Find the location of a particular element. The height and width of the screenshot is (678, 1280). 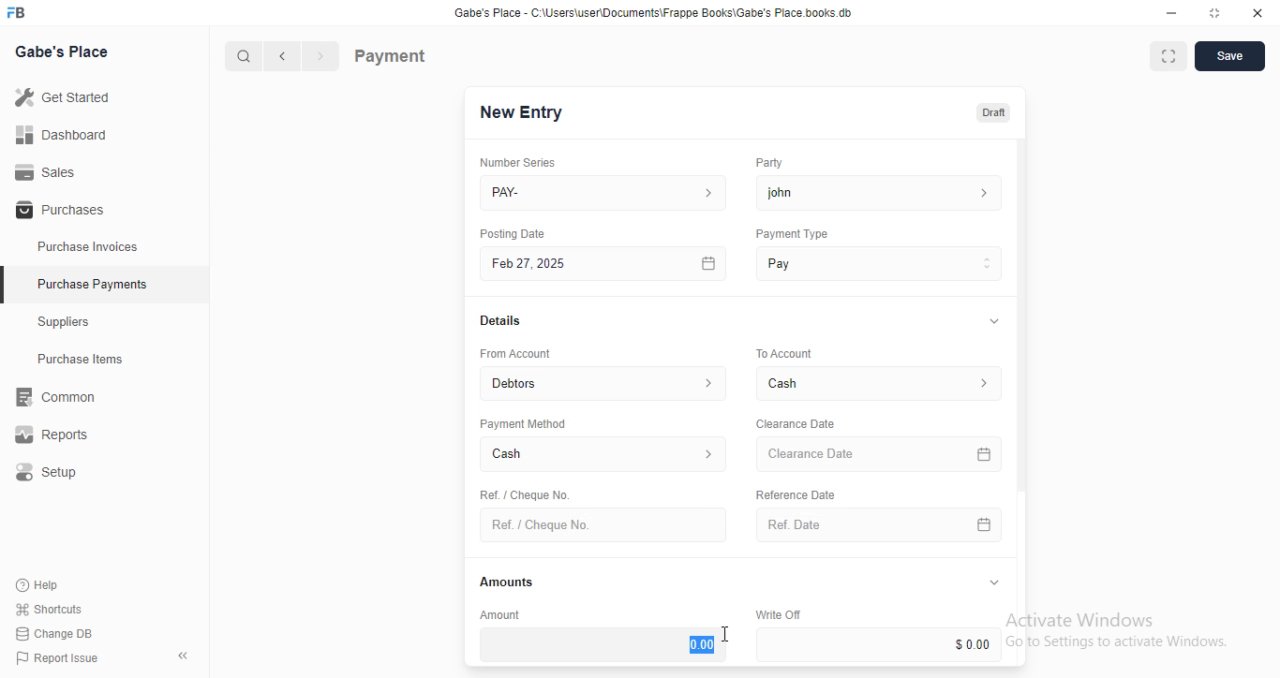

Save is located at coordinates (1229, 56).